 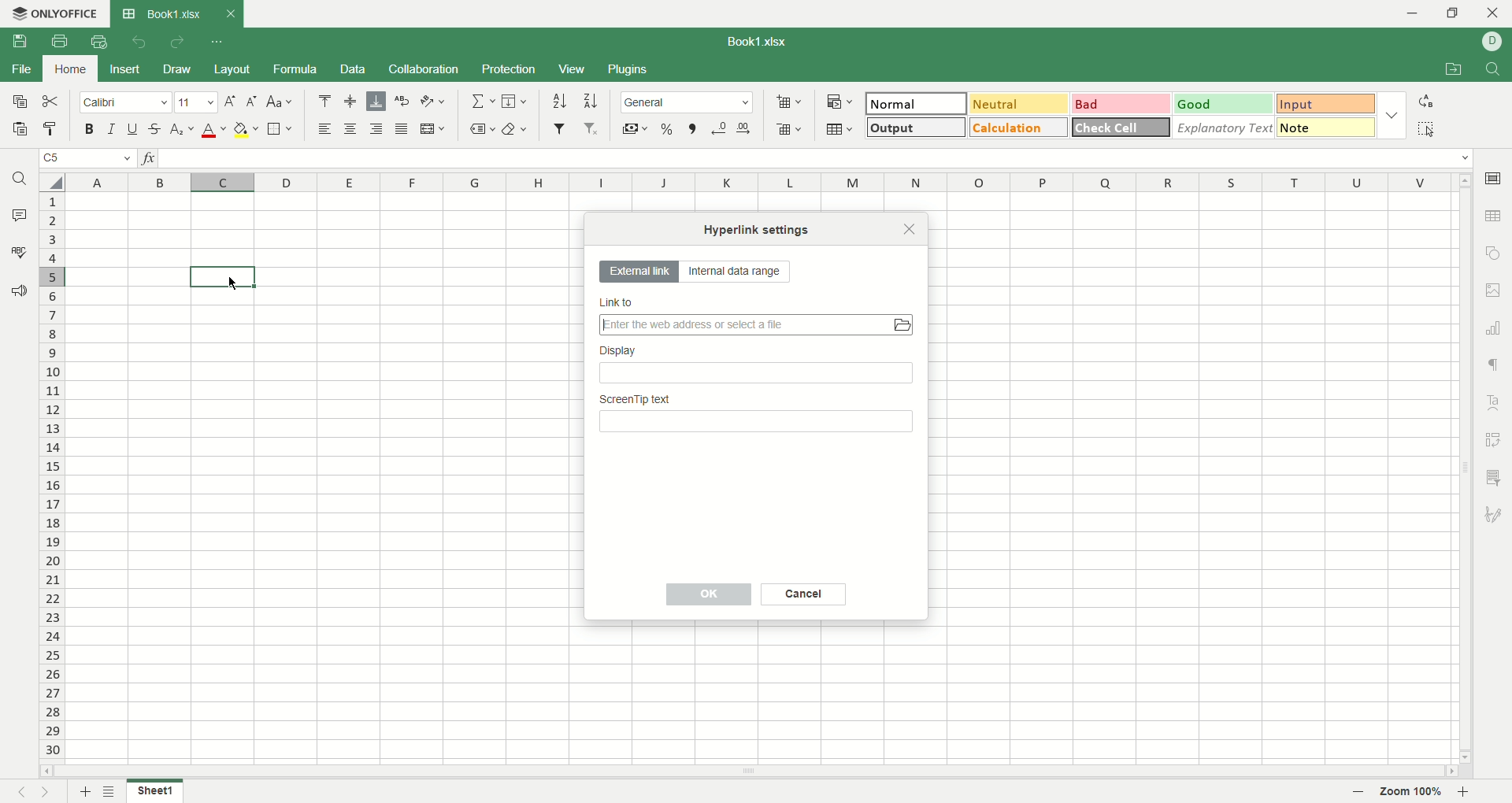 I want to click on spell check, so click(x=17, y=252).